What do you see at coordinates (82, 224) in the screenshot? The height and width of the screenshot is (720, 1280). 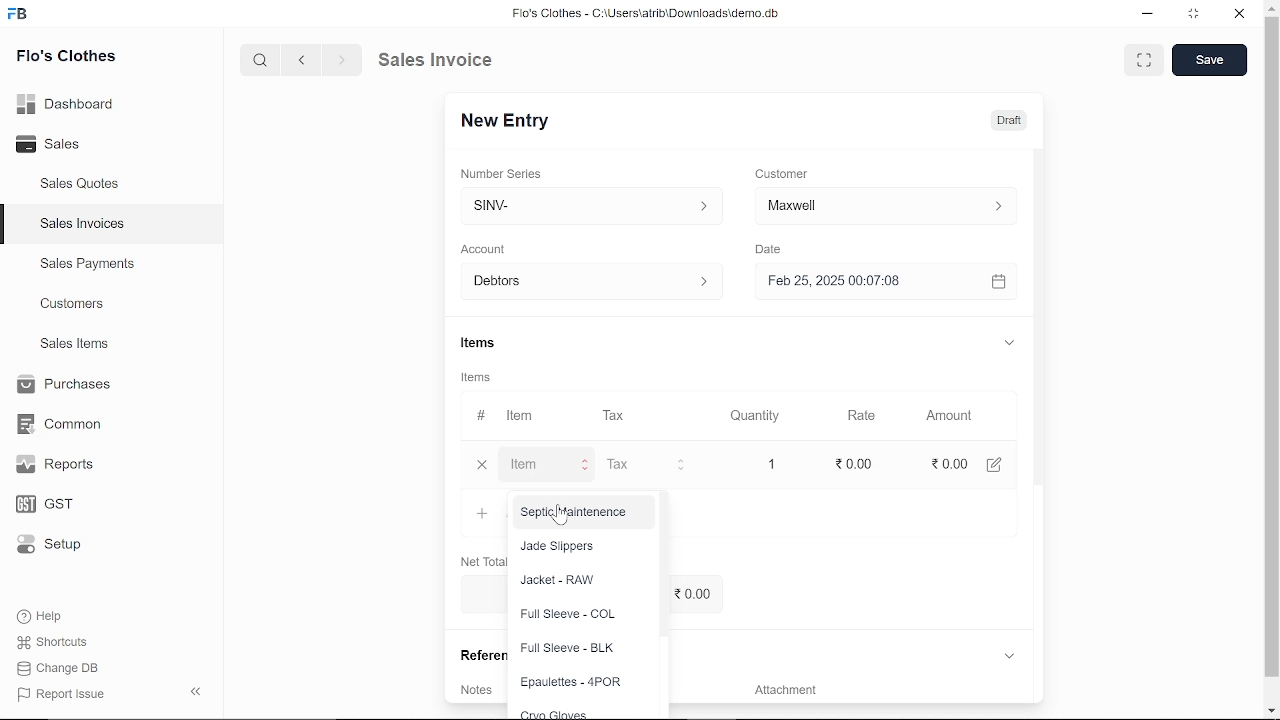 I see `Sales Invoices` at bounding box center [82, 224].